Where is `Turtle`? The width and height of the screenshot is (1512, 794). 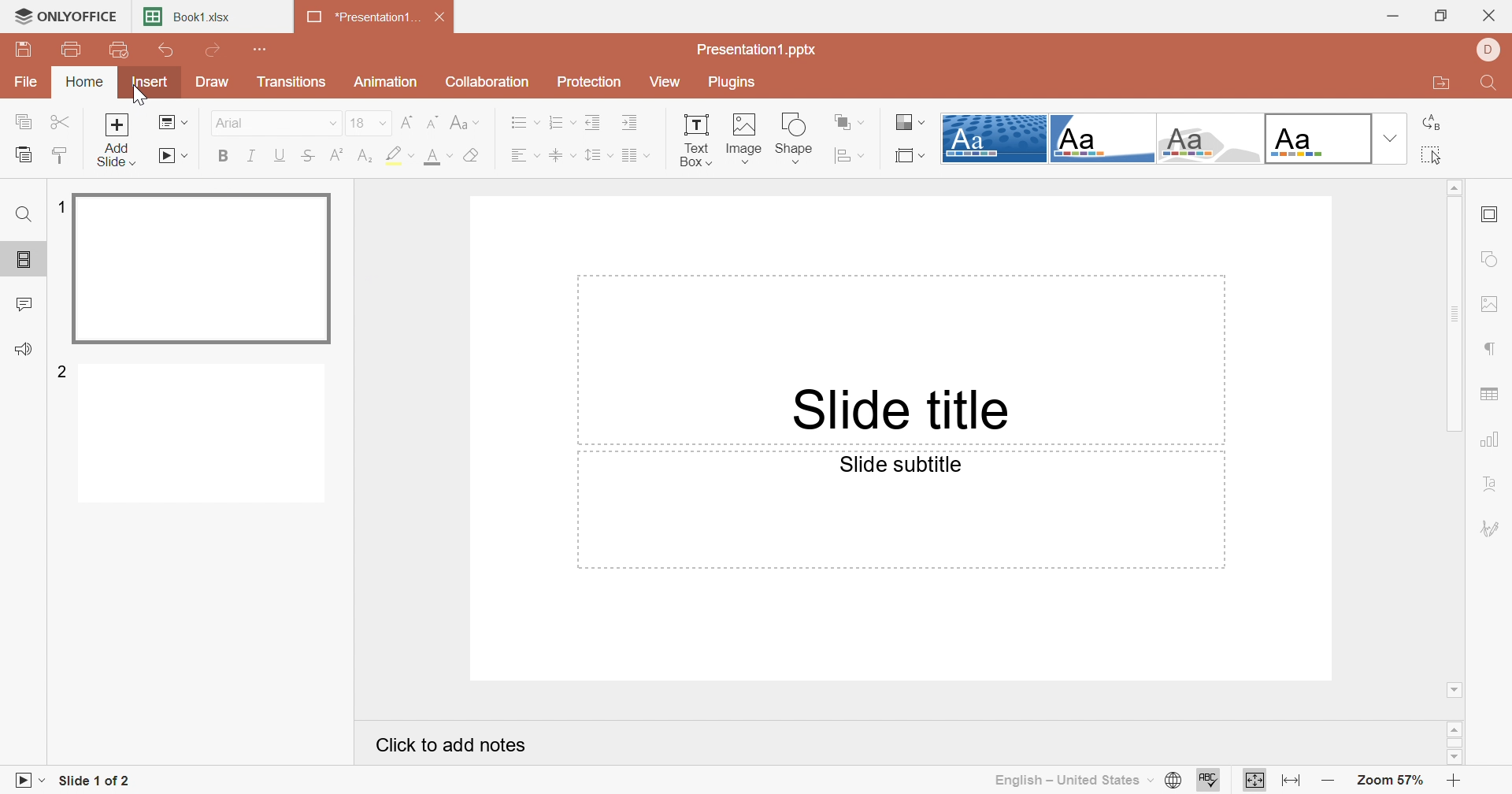
Turtle is located at coordinates (1212, 140).